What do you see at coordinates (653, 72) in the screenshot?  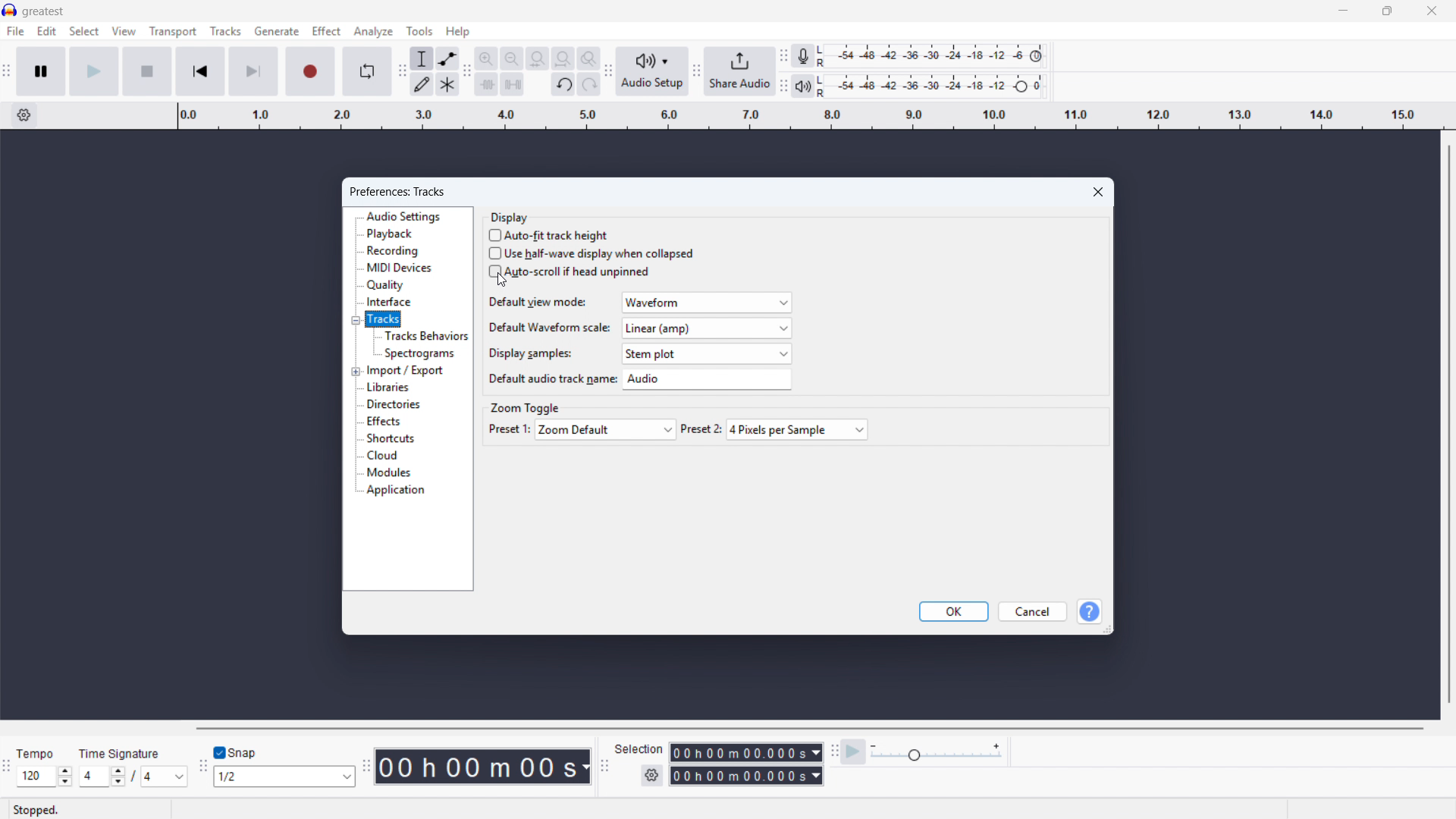 I see `Audio setup ` at bounding box center [653, 72].